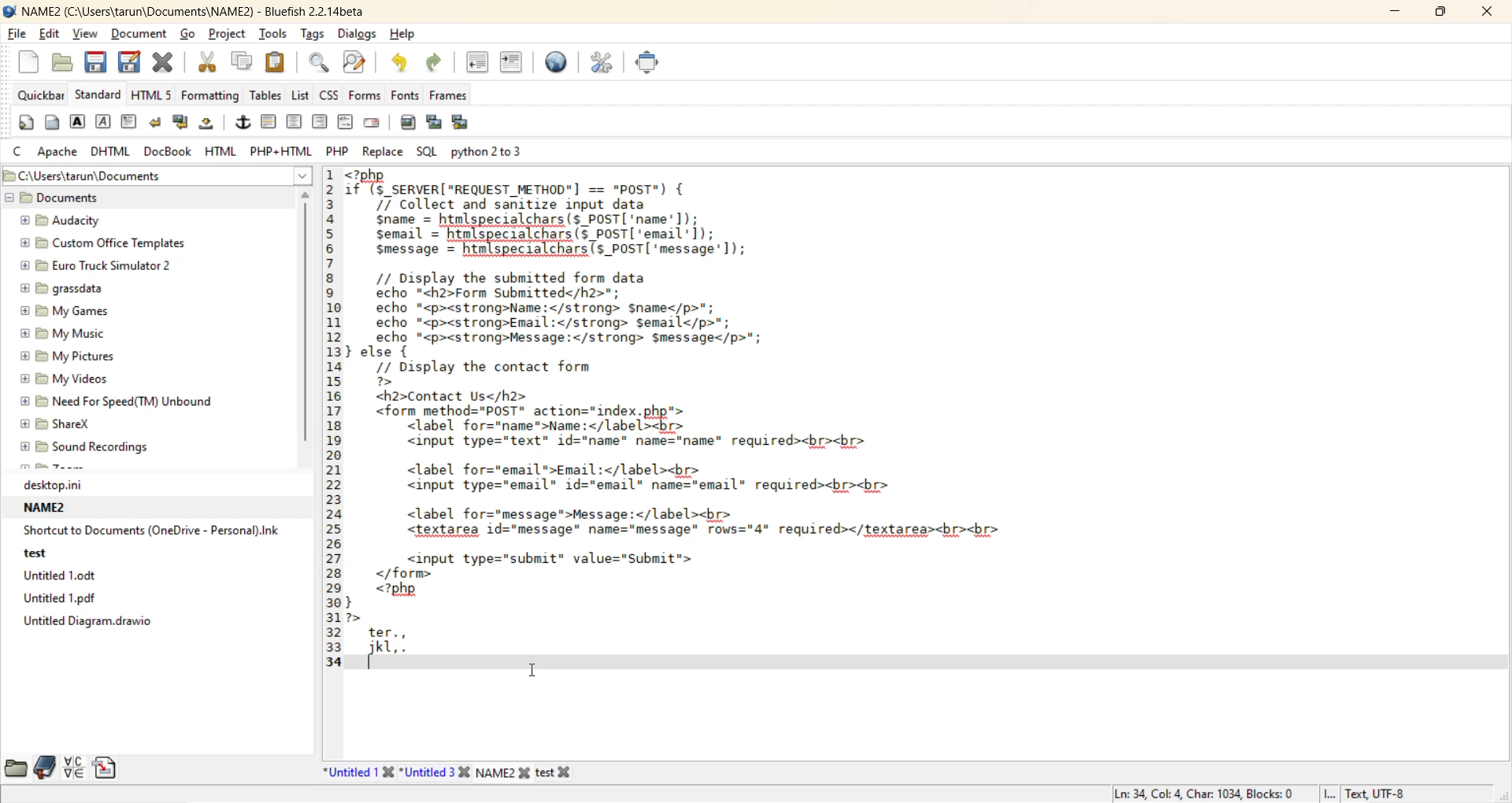 The image size is (1512, 803). Describe the element at coordinates (61, 424) in the screenshot. I see `ShareX.` at that location.